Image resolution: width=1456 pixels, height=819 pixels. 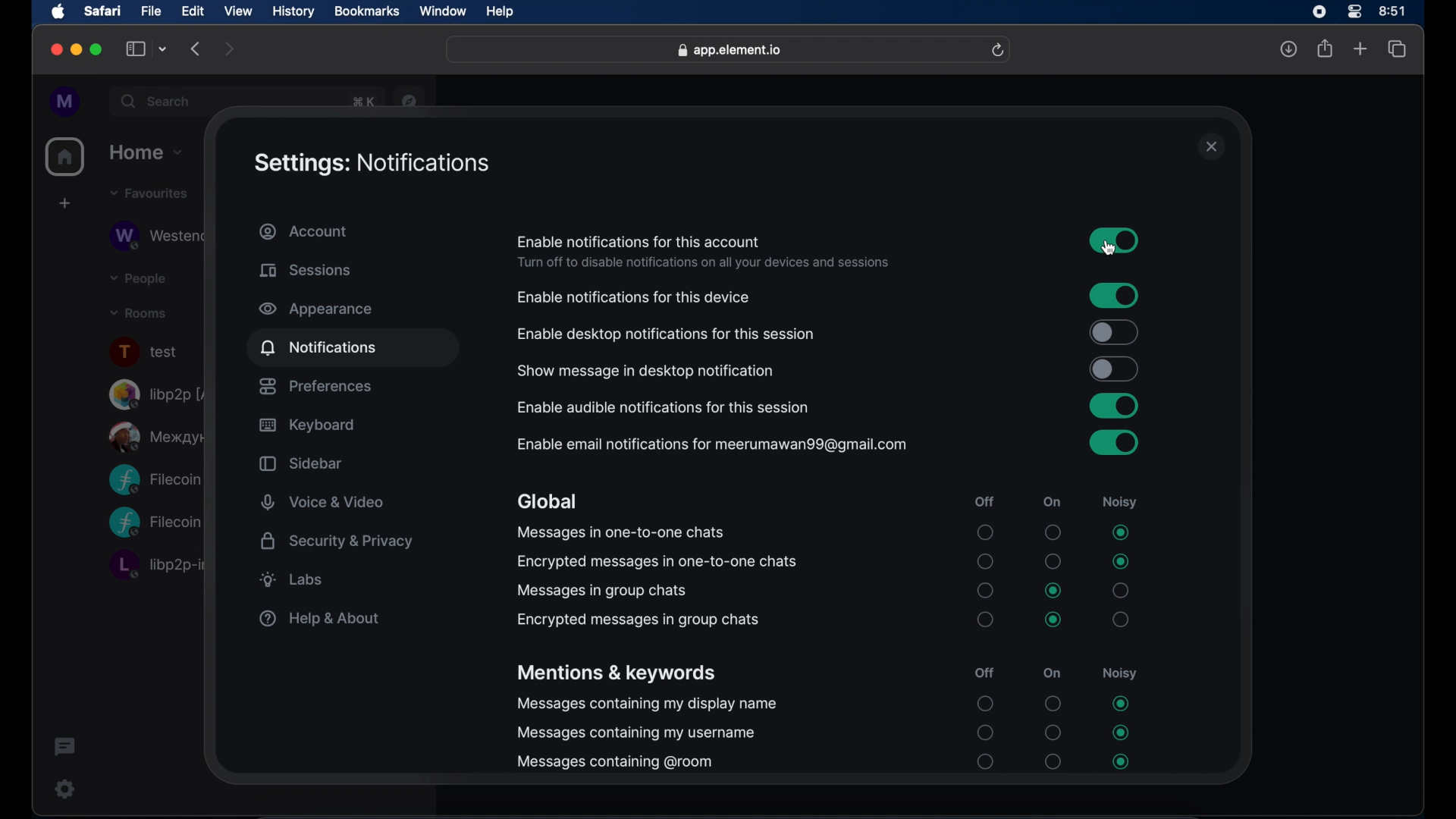 I want to click on search, so click(x=155, y=102).